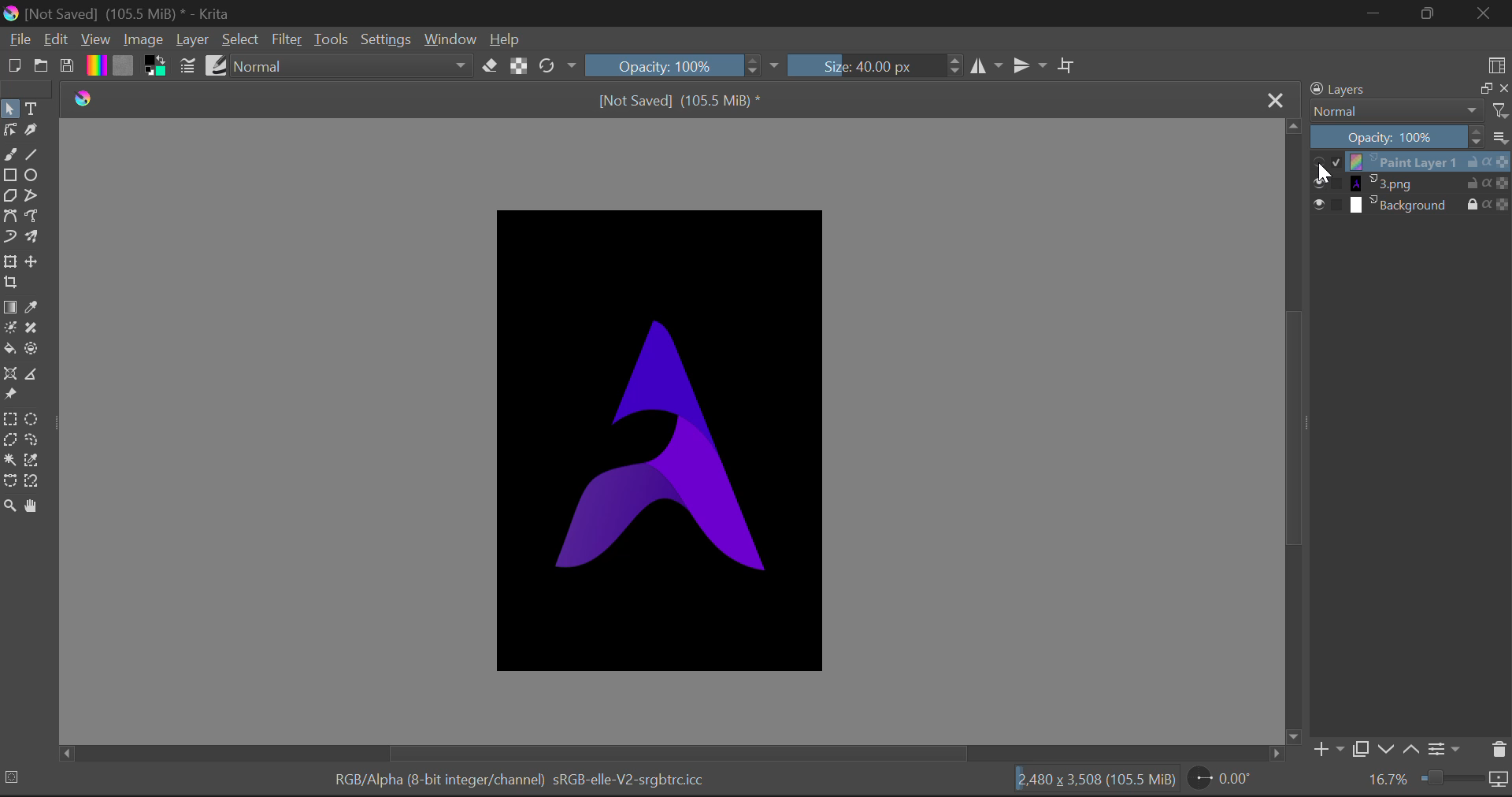 The height and width of the screenshot is (797, 1512). Describe the element at coordinates (15, 67) in the screenshot. I see `New` at that location.